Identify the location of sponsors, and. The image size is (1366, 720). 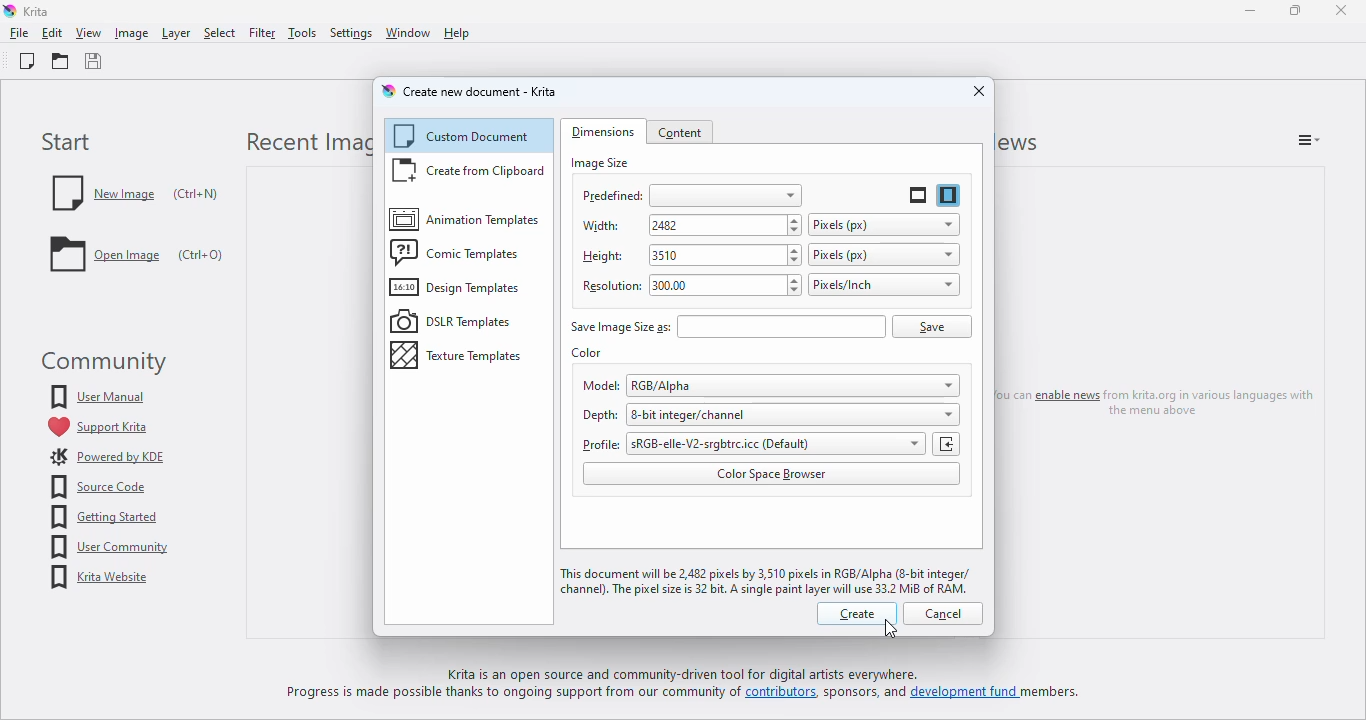
(867, 695).